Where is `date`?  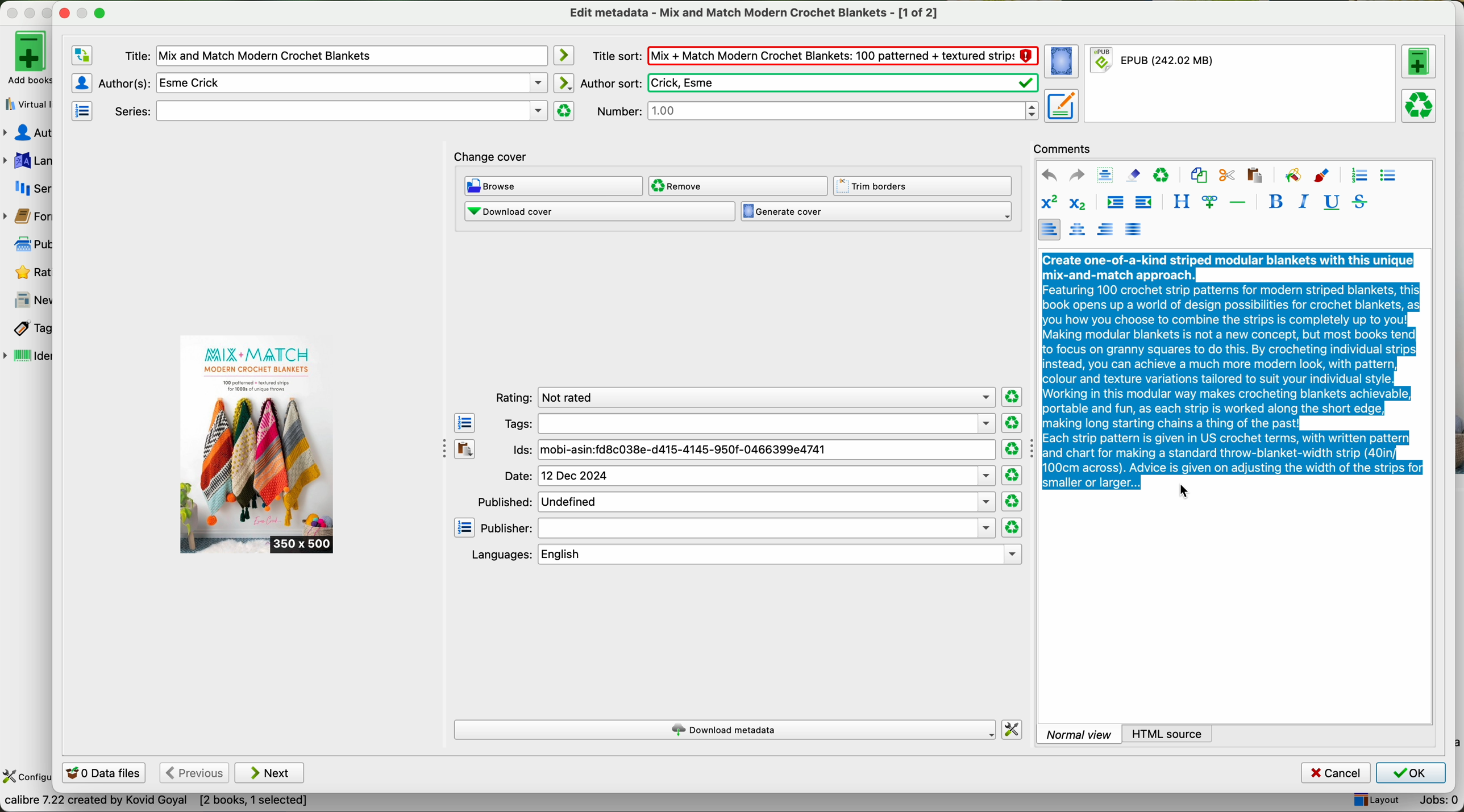 date is located at coordinates (749, 476).